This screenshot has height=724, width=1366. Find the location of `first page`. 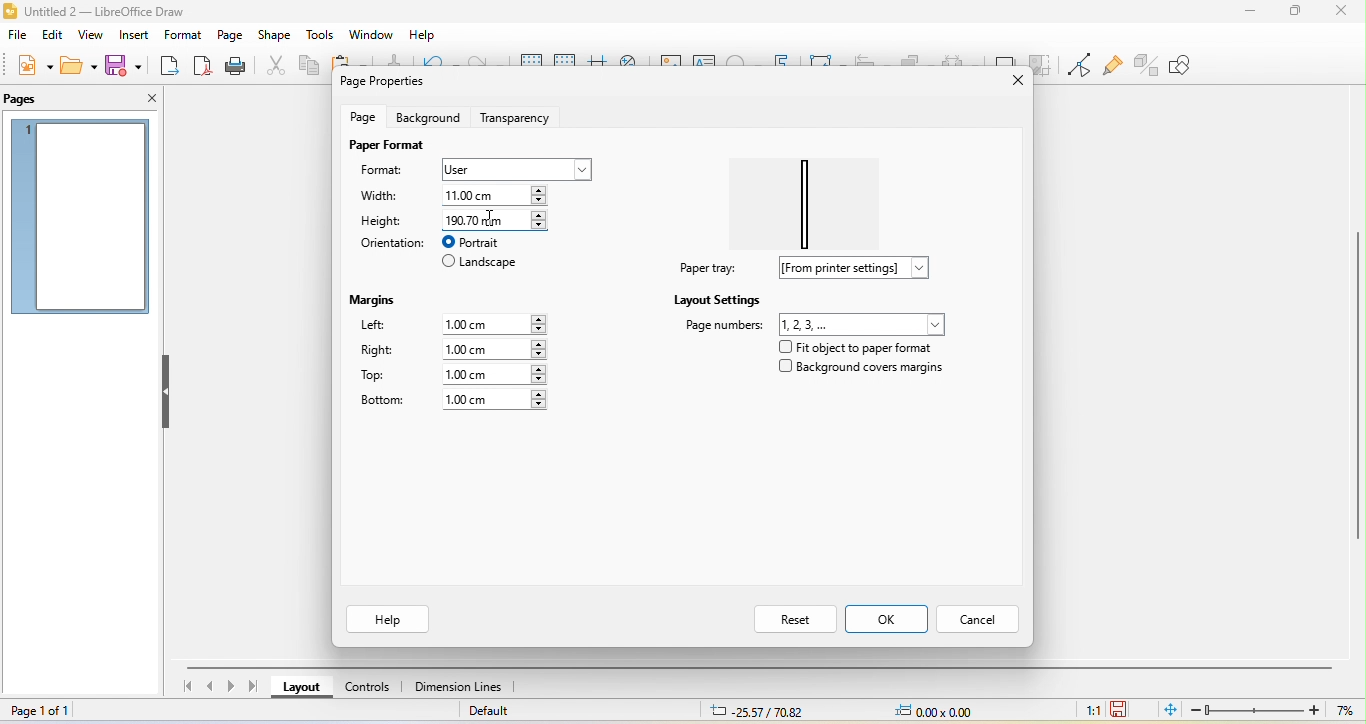

first page is located at coordinates (185, 689).